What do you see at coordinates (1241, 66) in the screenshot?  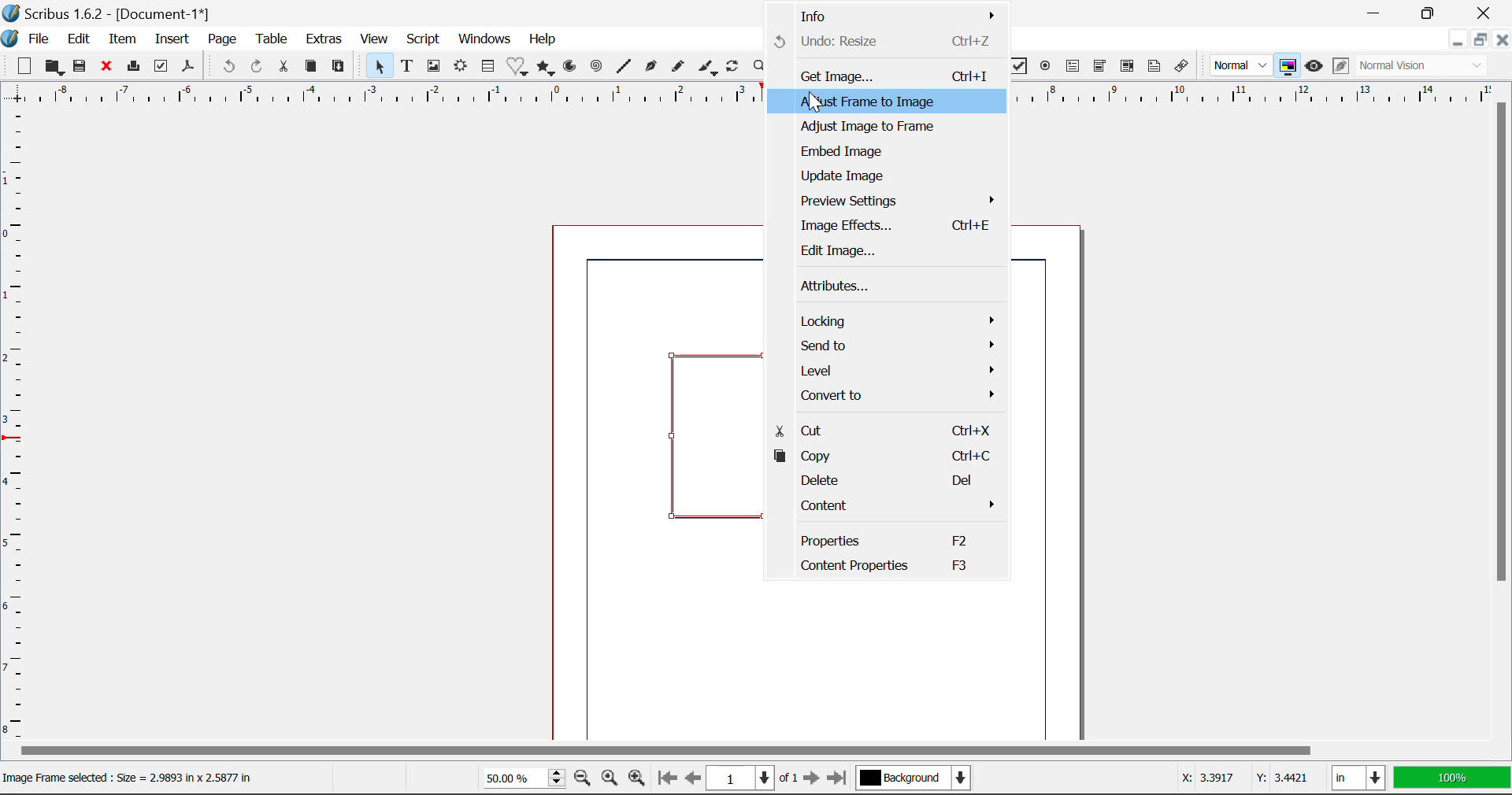 I see `Image Preview Quality` at bounding box center [1241, 66].